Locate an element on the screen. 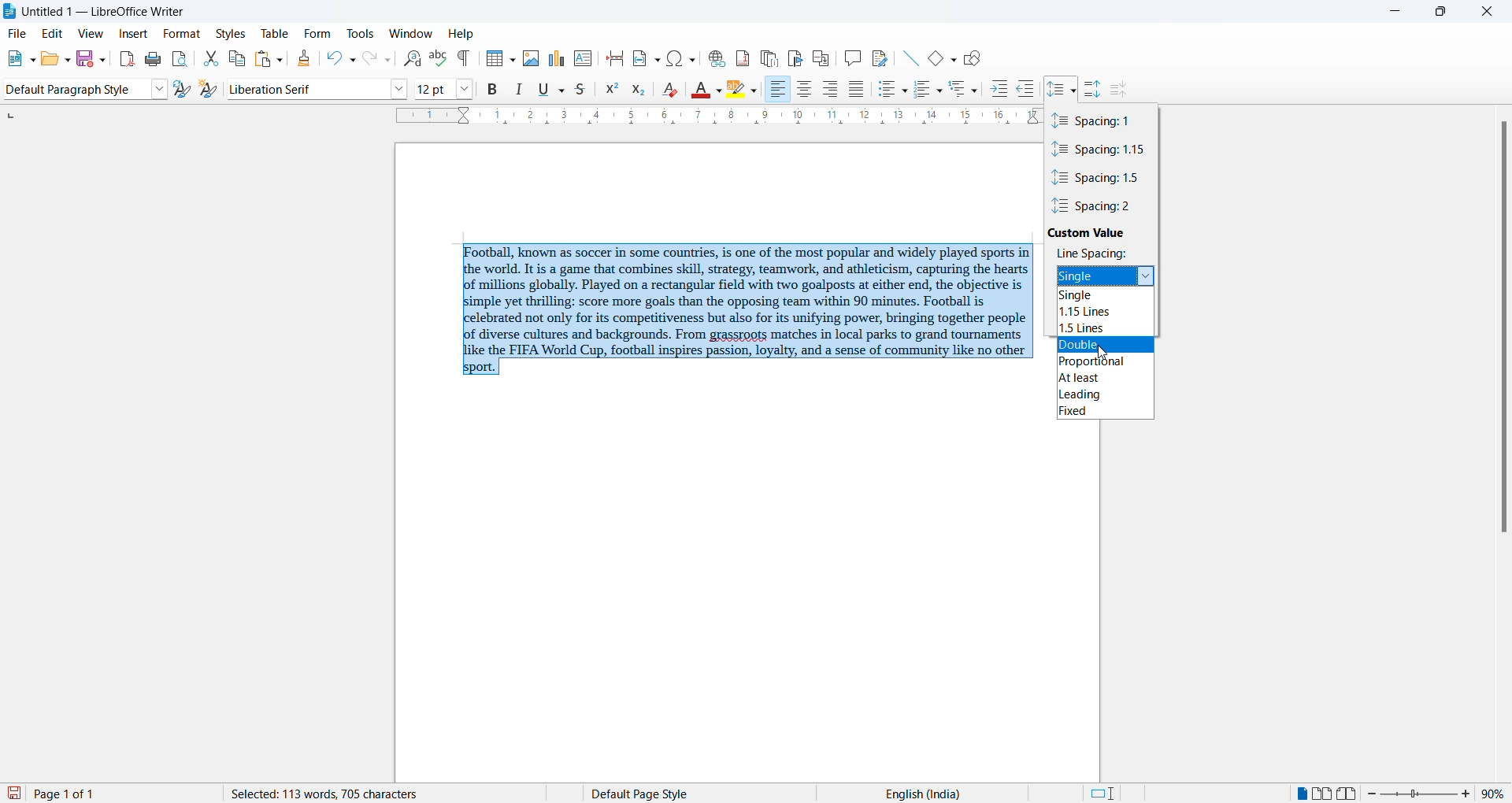 This screenshot has width=1512, height=803. file is located at coordinates (20, 33).